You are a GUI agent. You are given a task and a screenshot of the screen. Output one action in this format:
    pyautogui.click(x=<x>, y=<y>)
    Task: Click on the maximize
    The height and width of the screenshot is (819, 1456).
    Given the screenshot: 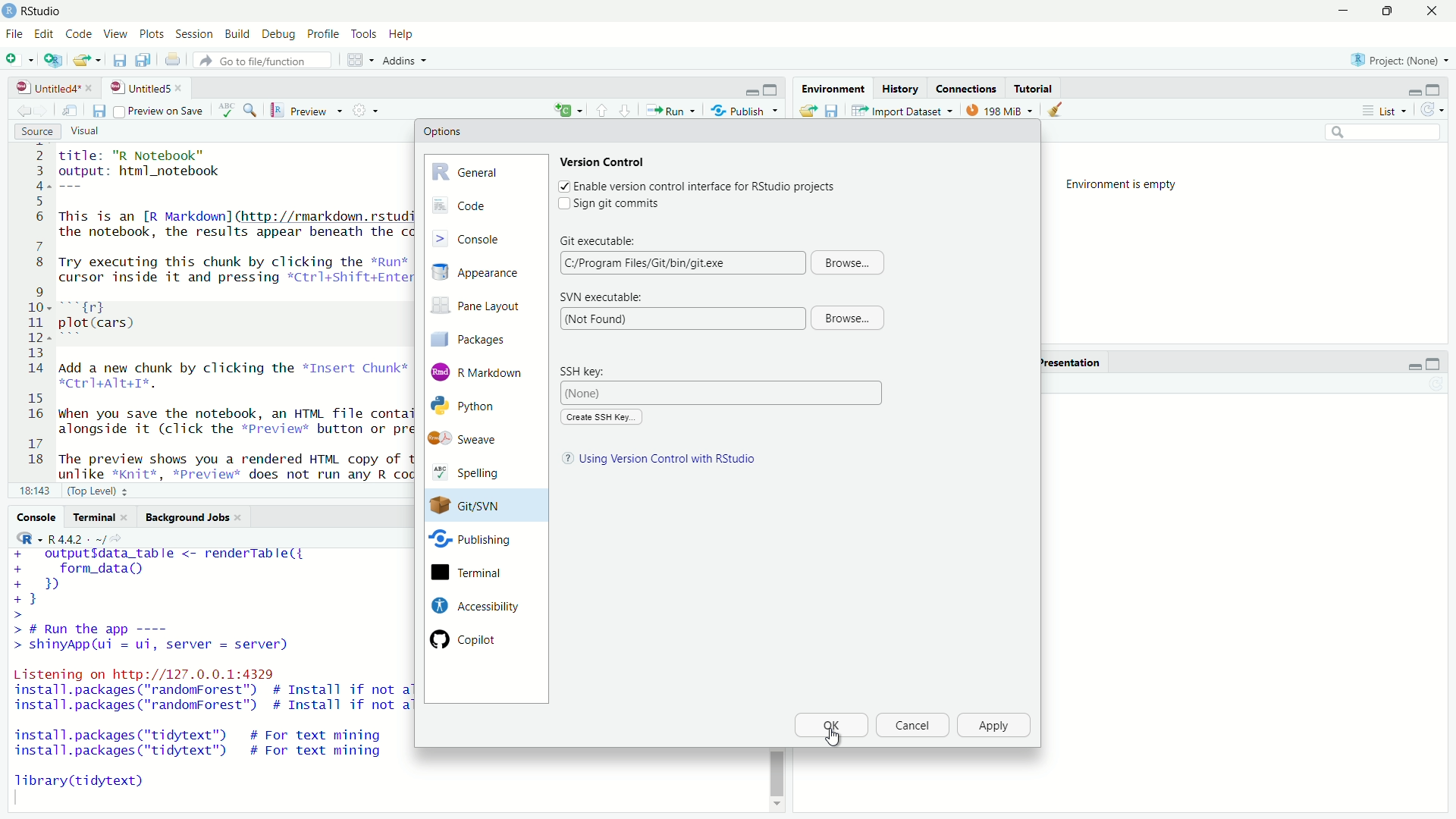 What is the action you would take?
    pyautogui.click(x=773, y=90)
    